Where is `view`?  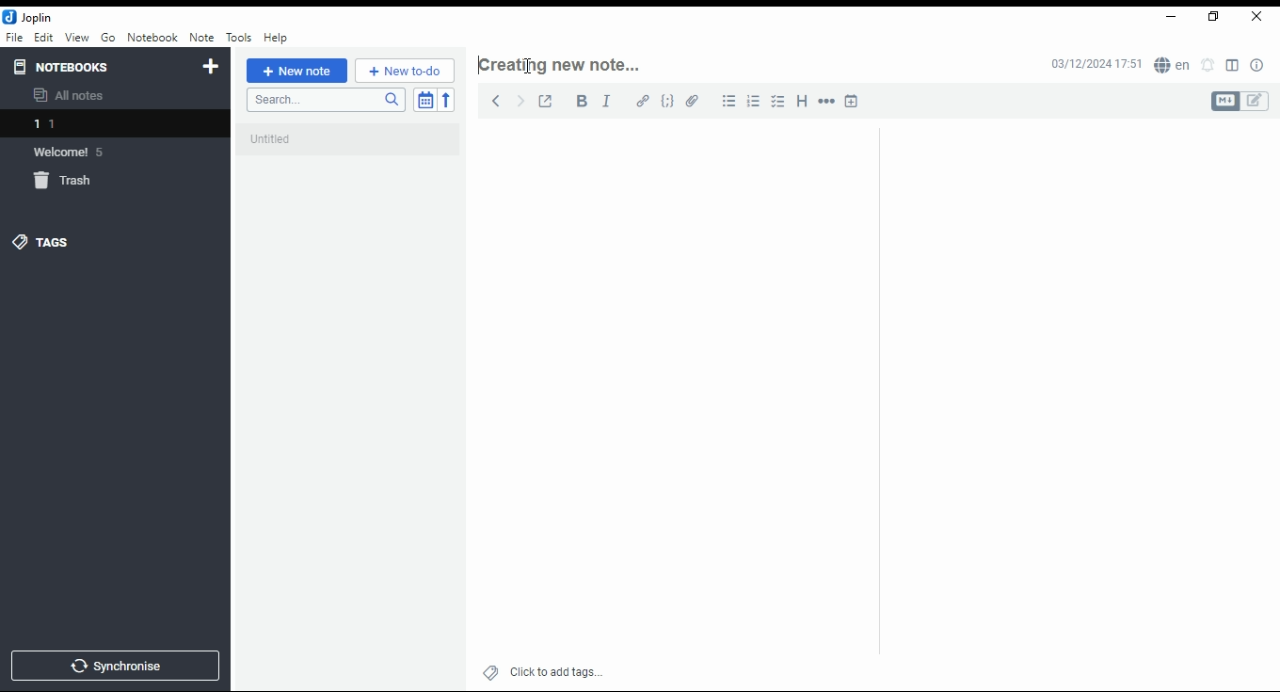 view is located at coordinates (76, 38).